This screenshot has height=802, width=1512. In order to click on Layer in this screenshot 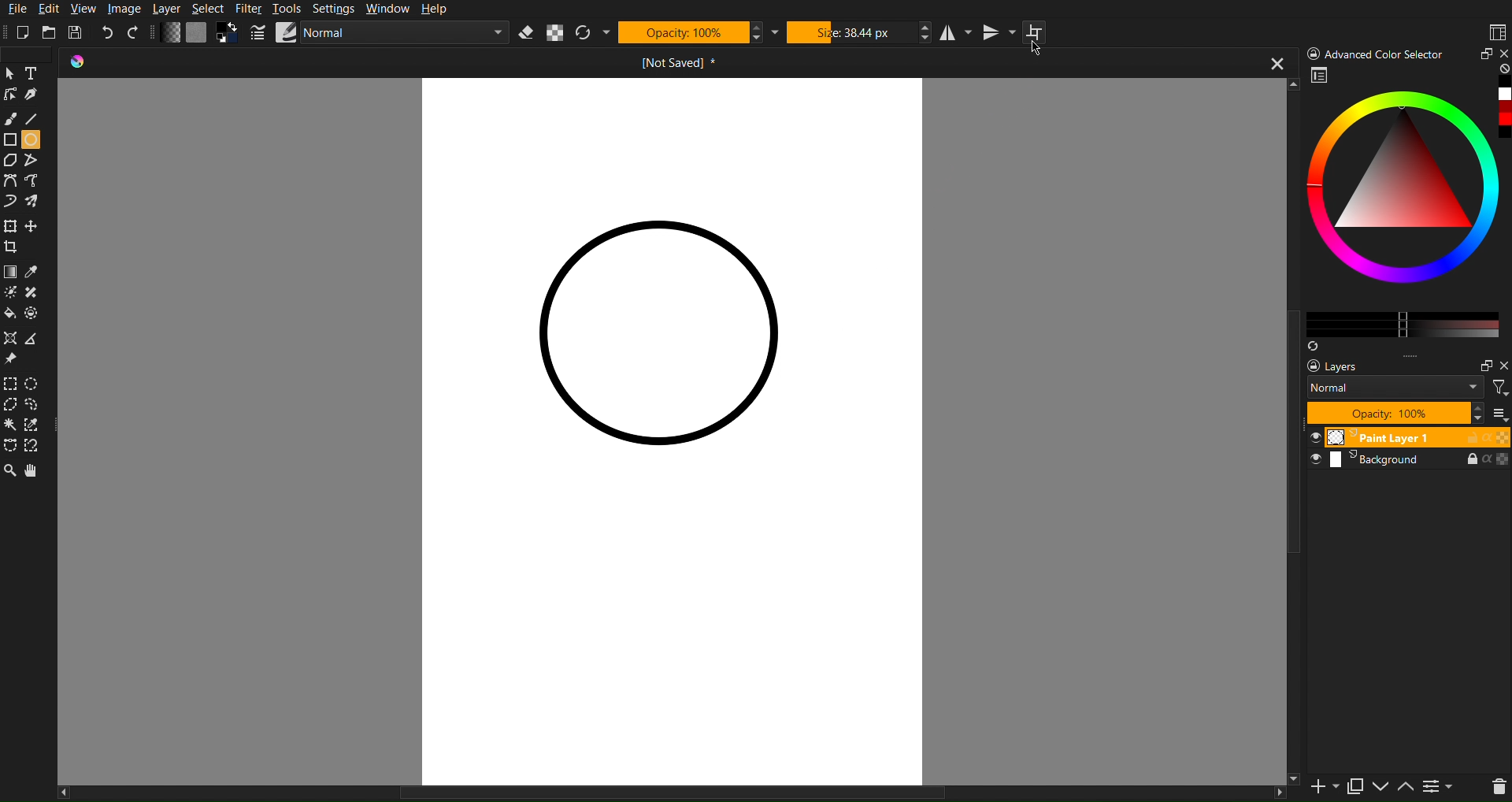, I will do `click(165, 10)`.